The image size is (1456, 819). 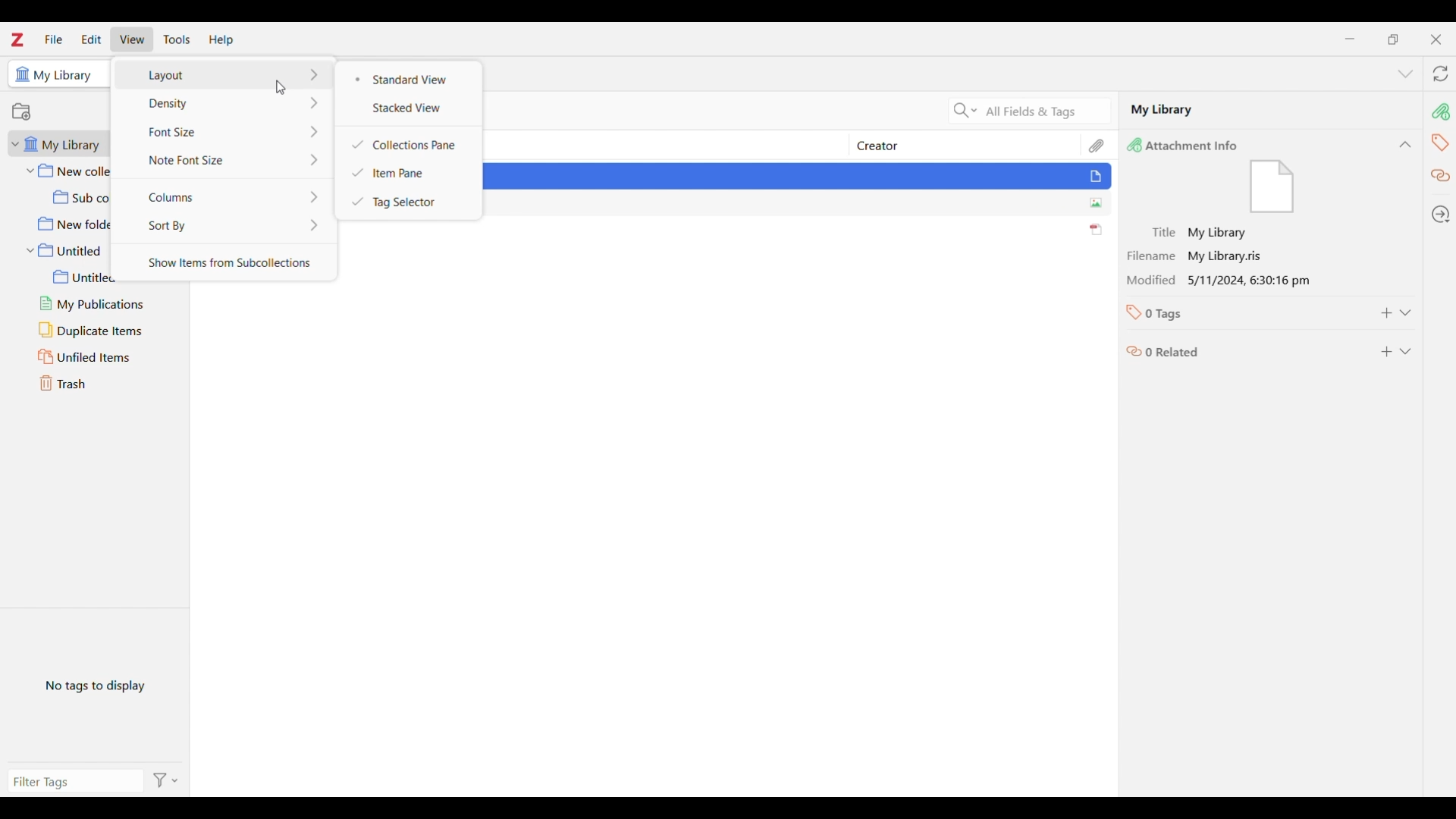 What do you see at coordinates (1394, 39) in the screenshot?
I see `Show interface in a smaller tab` at bounding box center [1394, 39].